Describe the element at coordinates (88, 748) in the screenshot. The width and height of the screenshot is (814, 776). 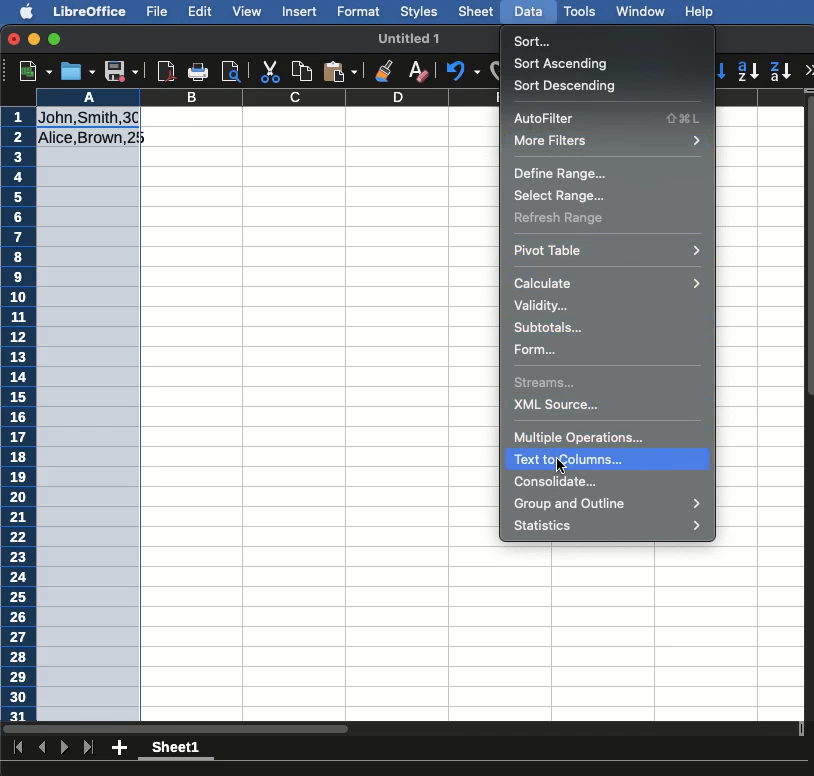
I see `Last sheet` at that location.